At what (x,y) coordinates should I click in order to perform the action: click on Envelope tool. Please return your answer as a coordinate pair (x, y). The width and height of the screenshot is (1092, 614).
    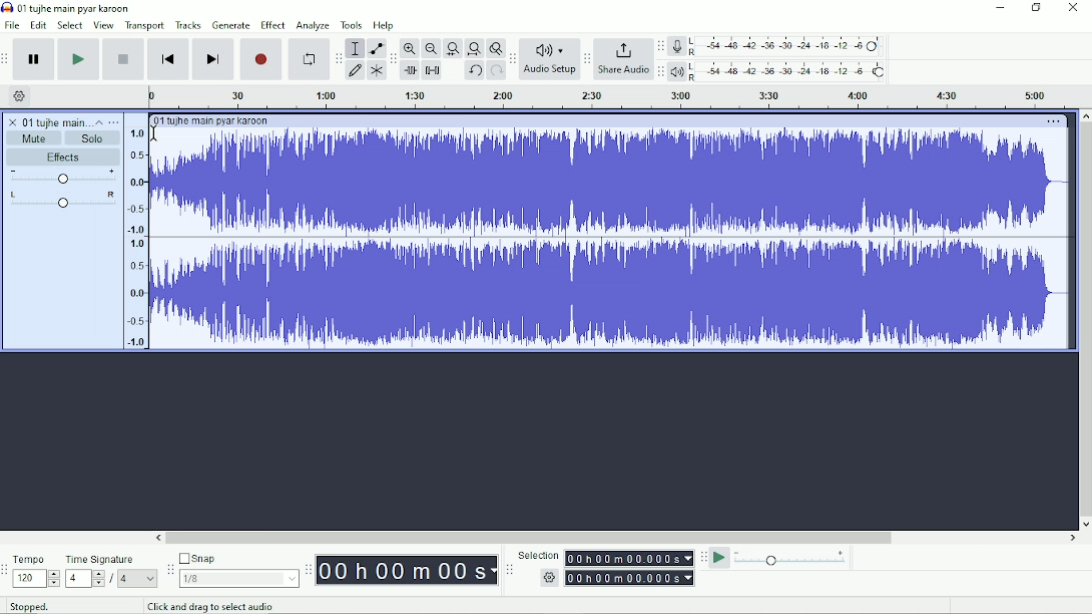
    Looking at the image, I should click on (375, 47).